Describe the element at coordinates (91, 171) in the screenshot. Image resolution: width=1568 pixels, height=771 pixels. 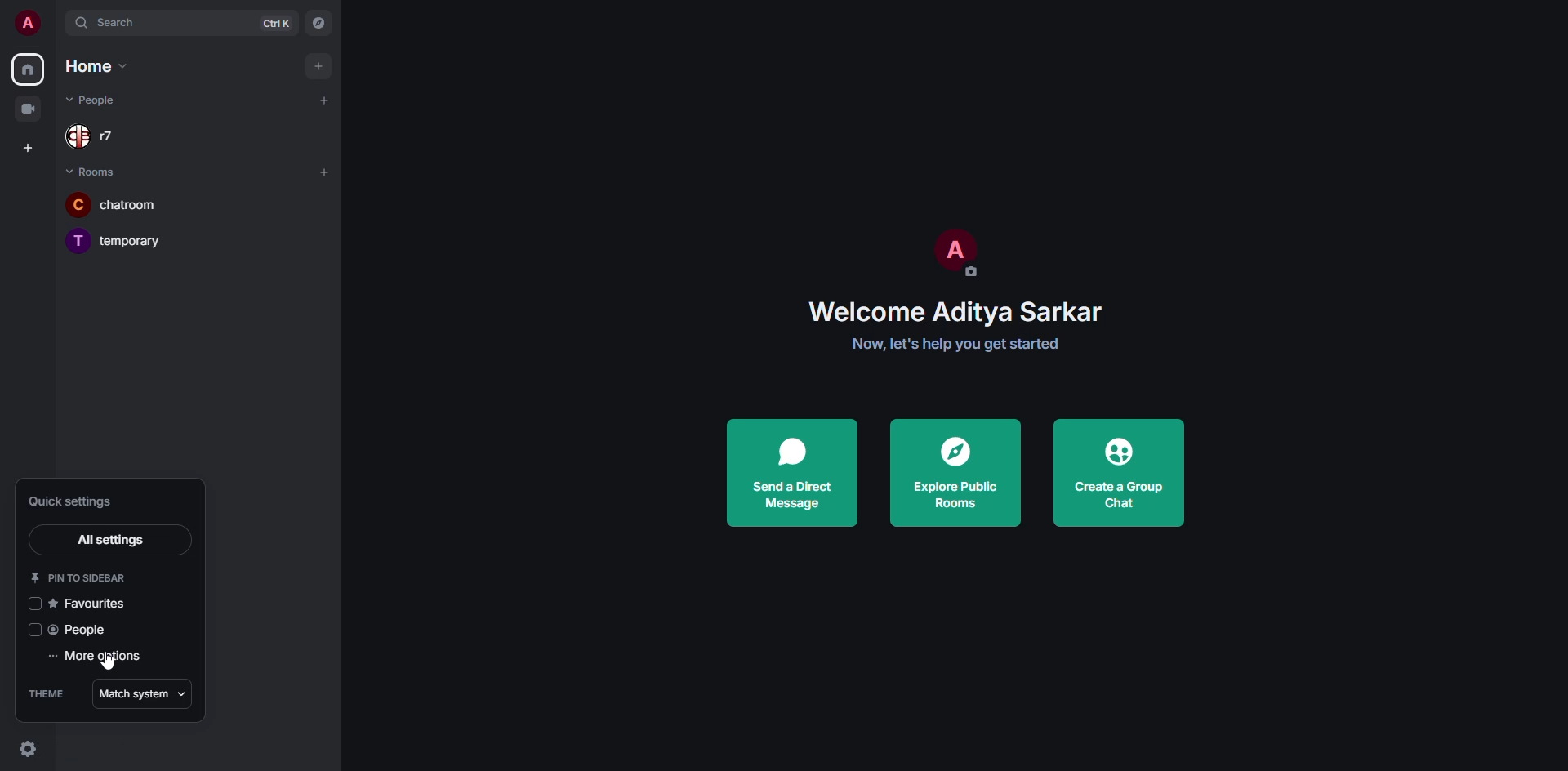
I see `room` at that location.